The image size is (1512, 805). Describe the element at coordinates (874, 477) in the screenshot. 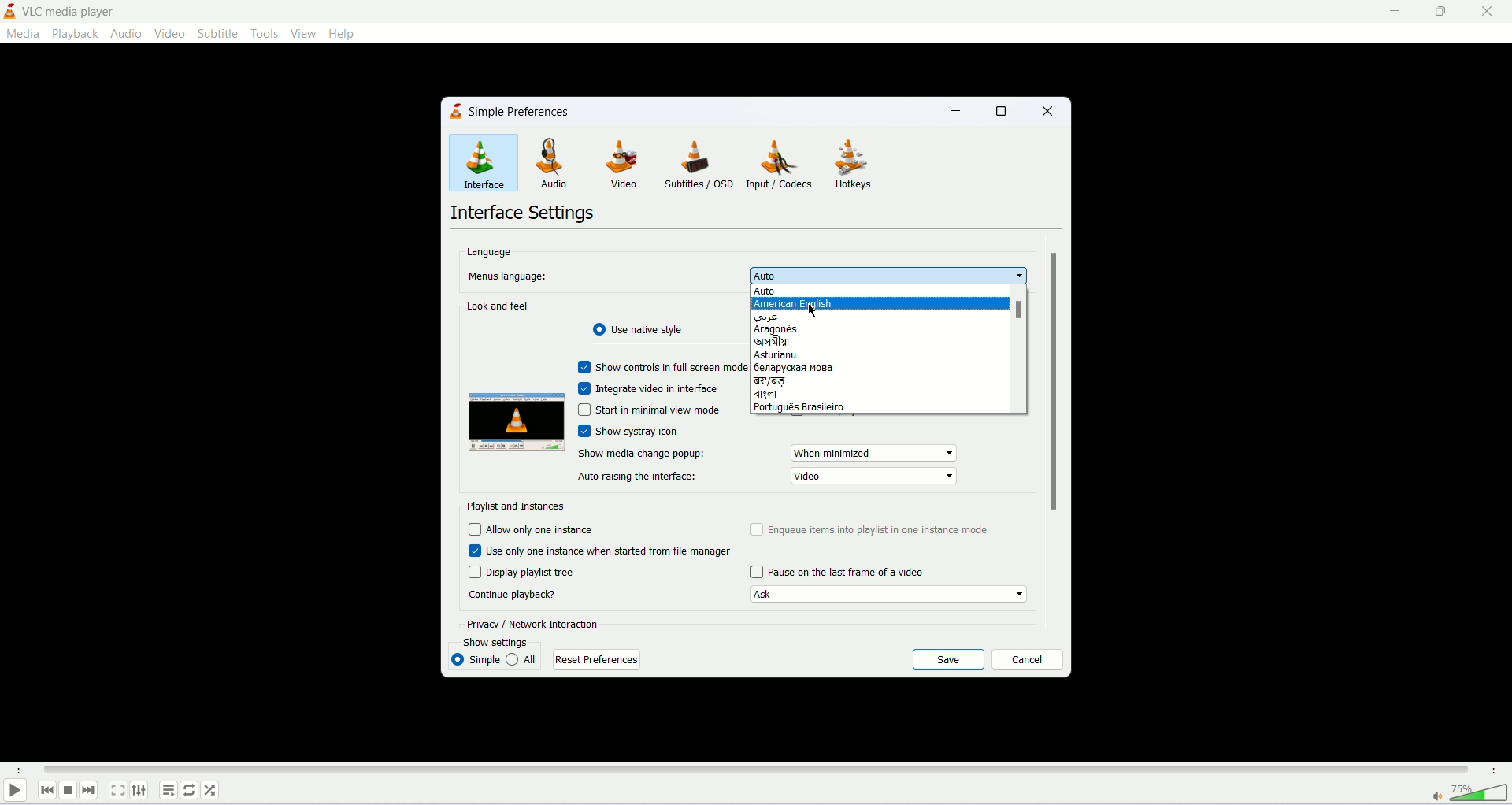

I see `video` at that location.